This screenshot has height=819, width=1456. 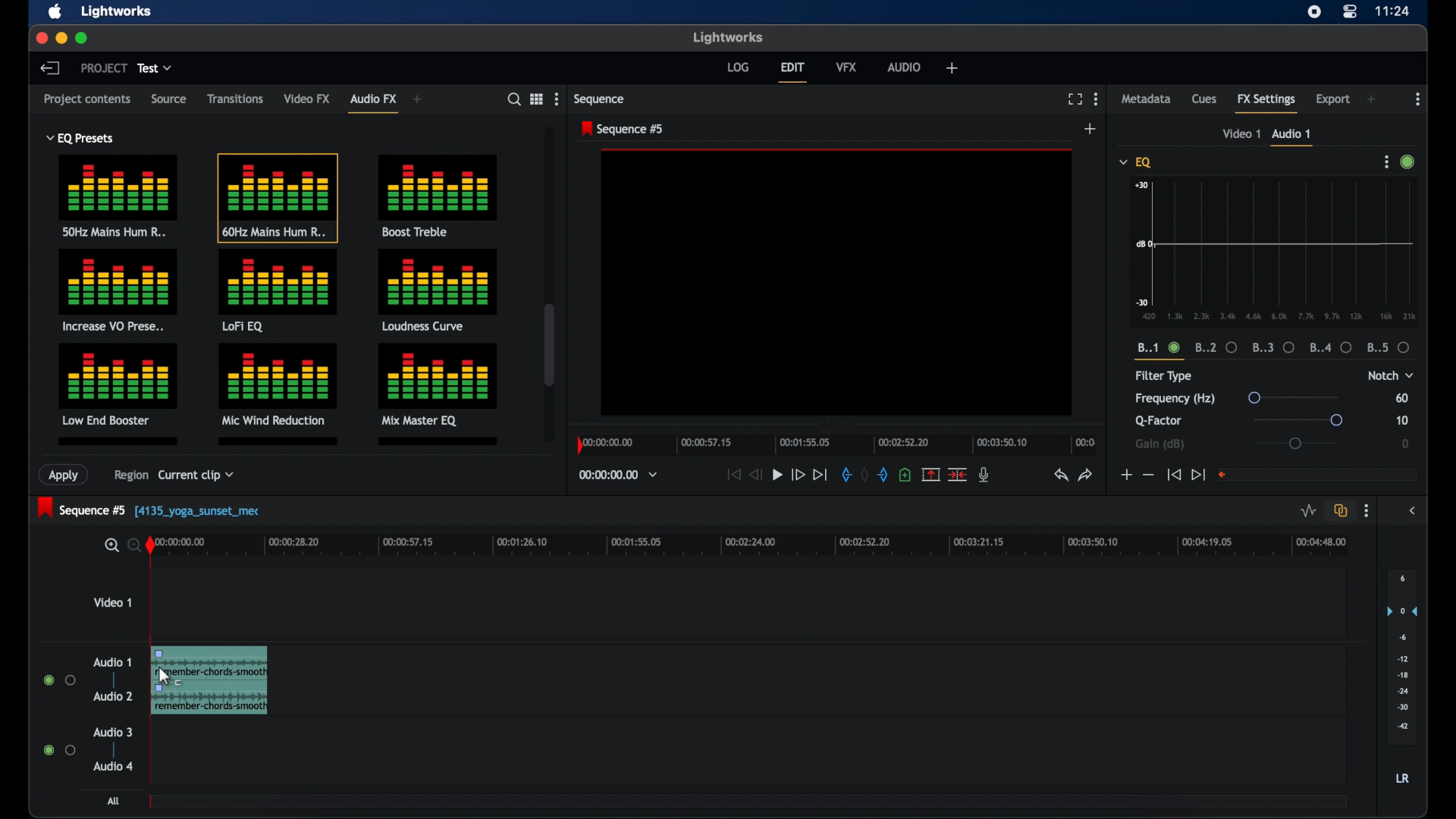 What do you see at coordinates (763, 548) in the screenshot?
I see `timeline scale` at bounding box center [763, 548].